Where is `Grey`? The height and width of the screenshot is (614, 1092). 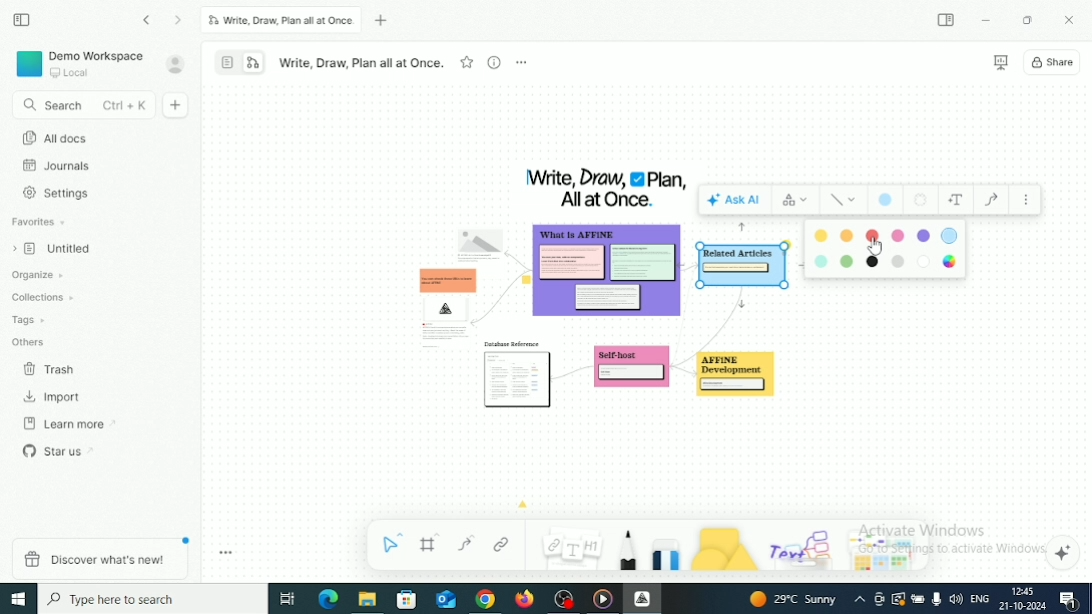
Grey is located at coordinates (898, 261).